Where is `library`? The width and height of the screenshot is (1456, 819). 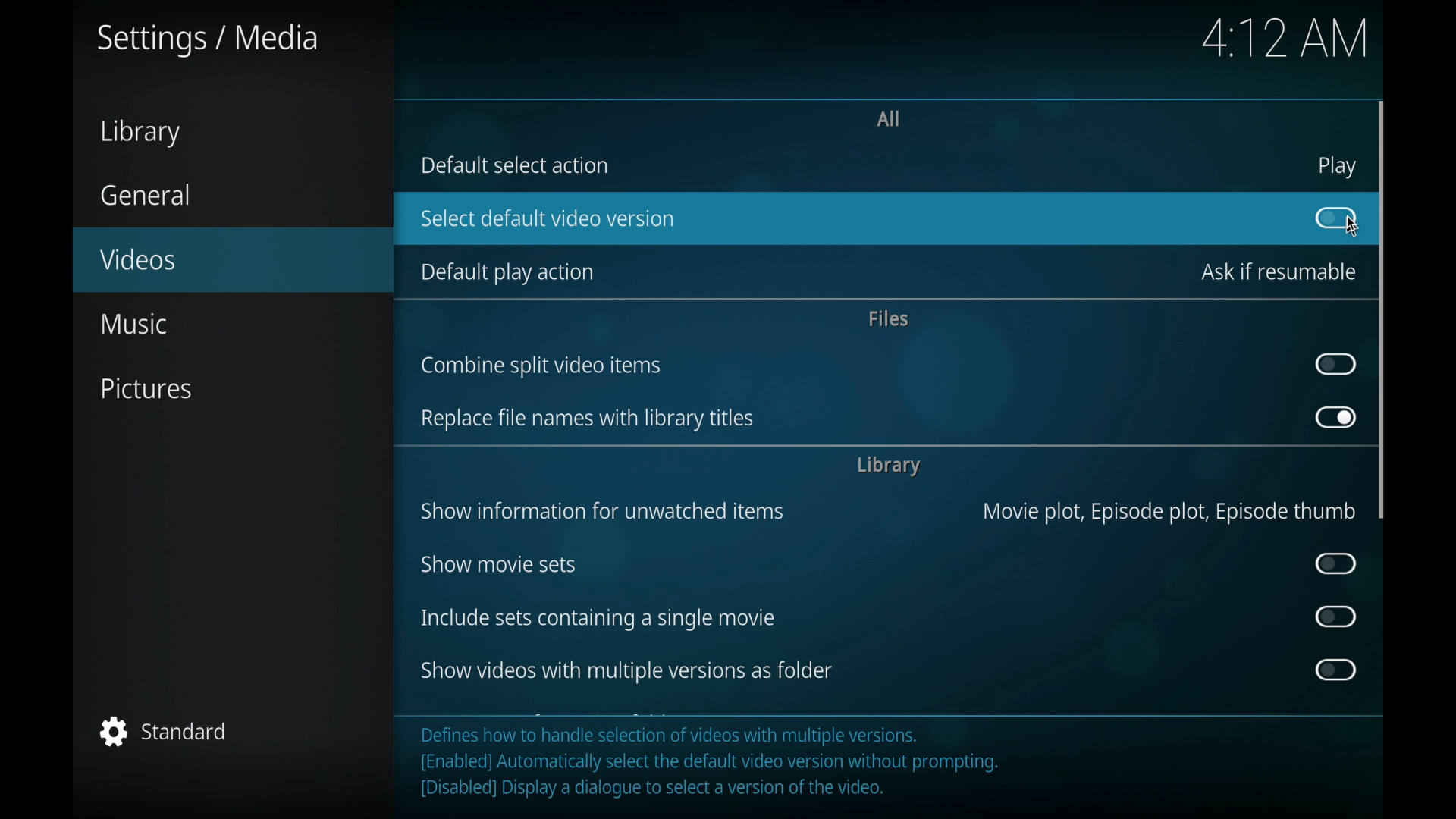 library is located at coordinates (137, 132).